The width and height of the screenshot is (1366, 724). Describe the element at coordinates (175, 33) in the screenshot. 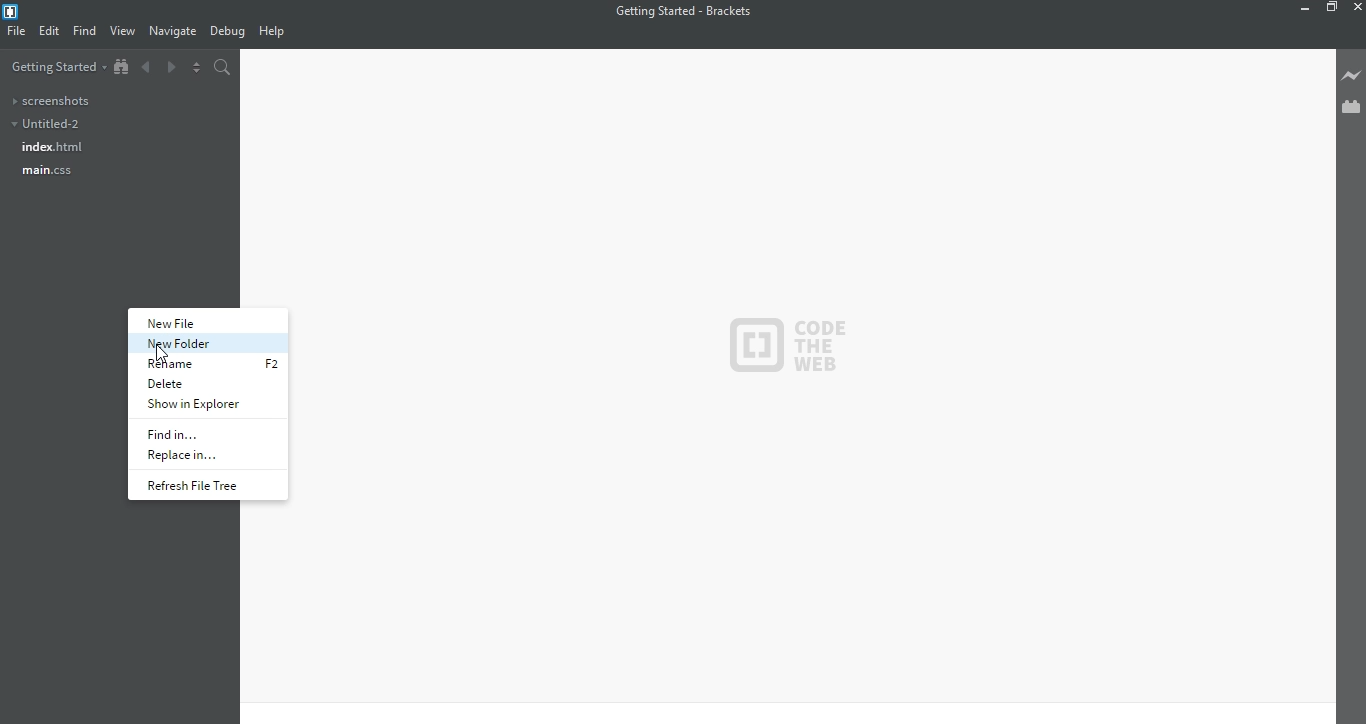

I see `navigate` at that location.